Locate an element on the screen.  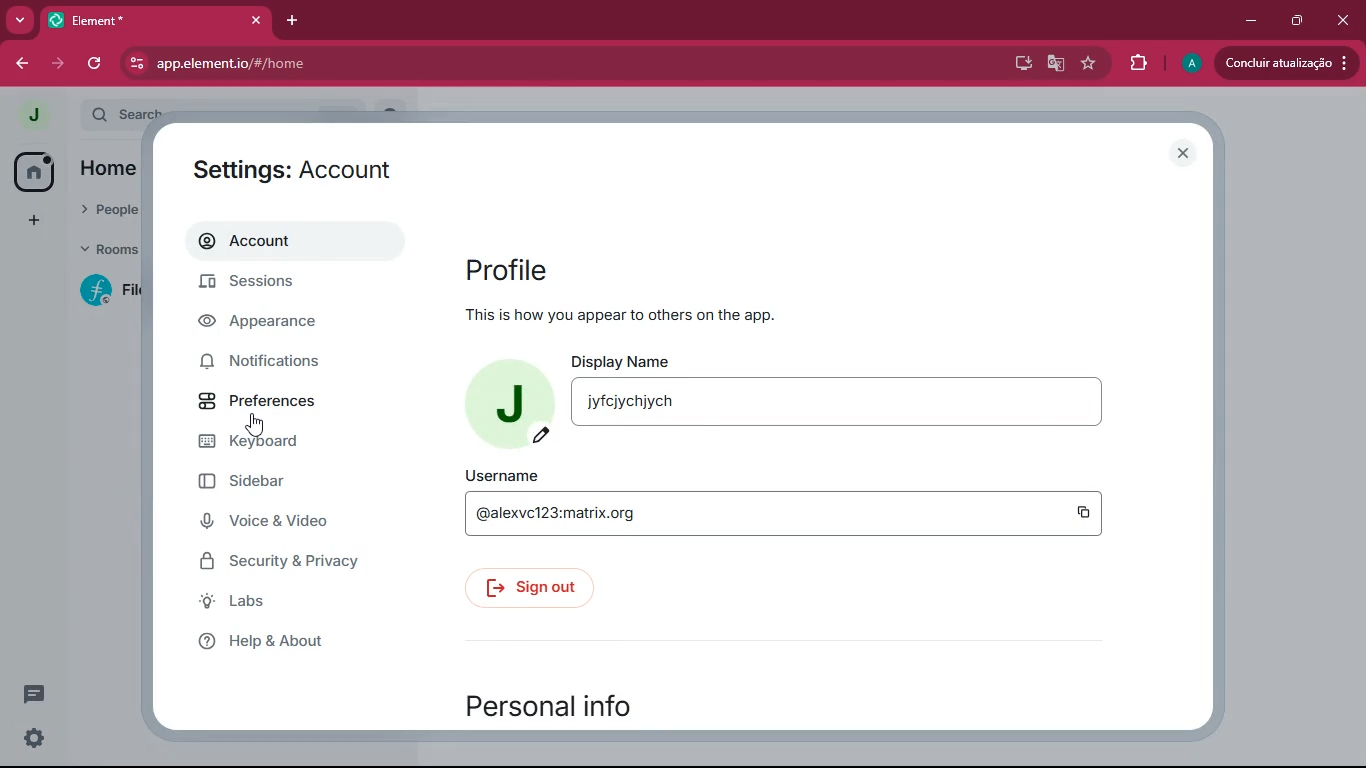
A is located at coordinates (1189, 61).